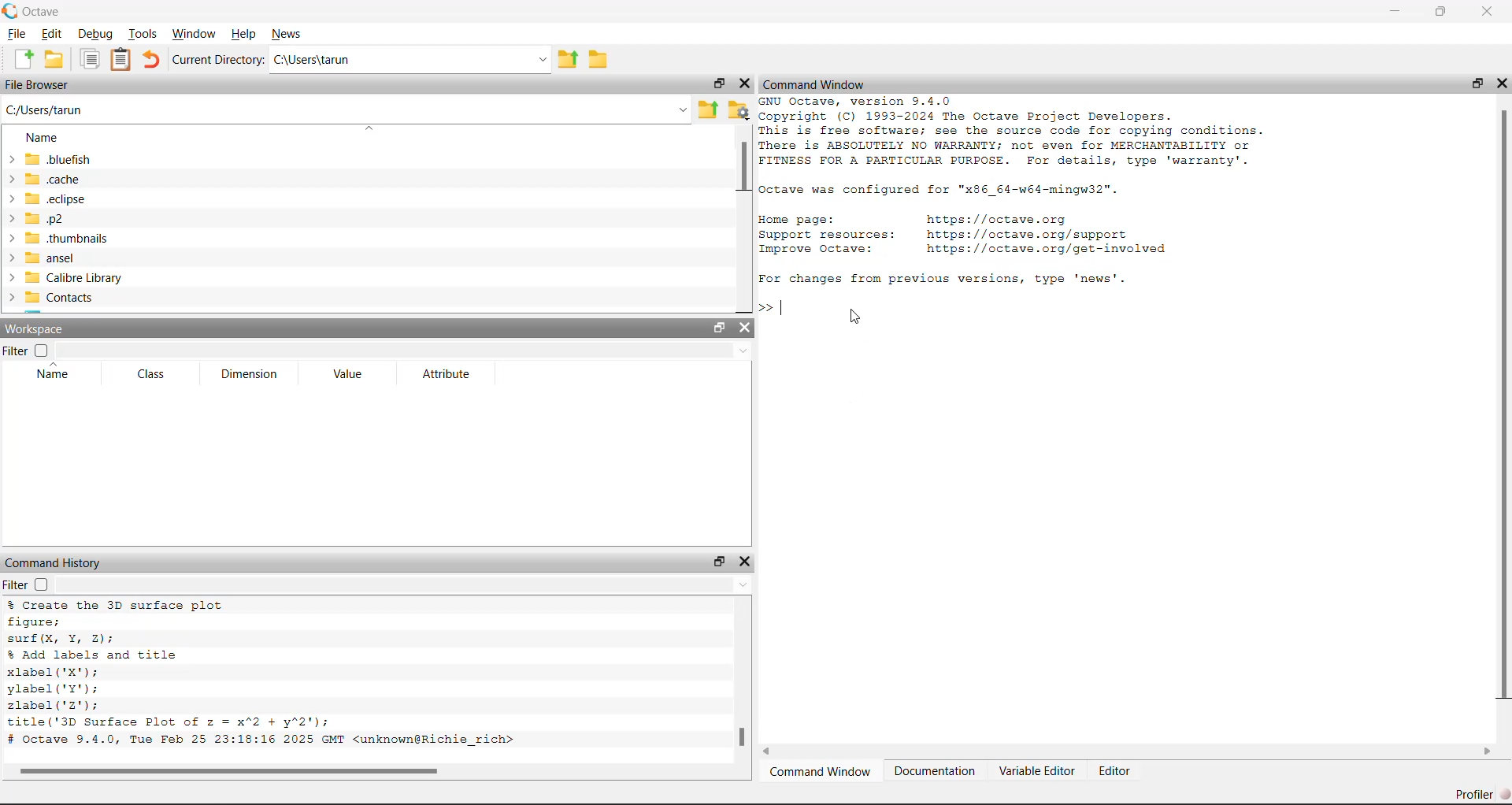 This screenshot has height=805, width=1512. Describe the element at coordinates (91, 60) in the screenshot. I see `Documents` at that location.